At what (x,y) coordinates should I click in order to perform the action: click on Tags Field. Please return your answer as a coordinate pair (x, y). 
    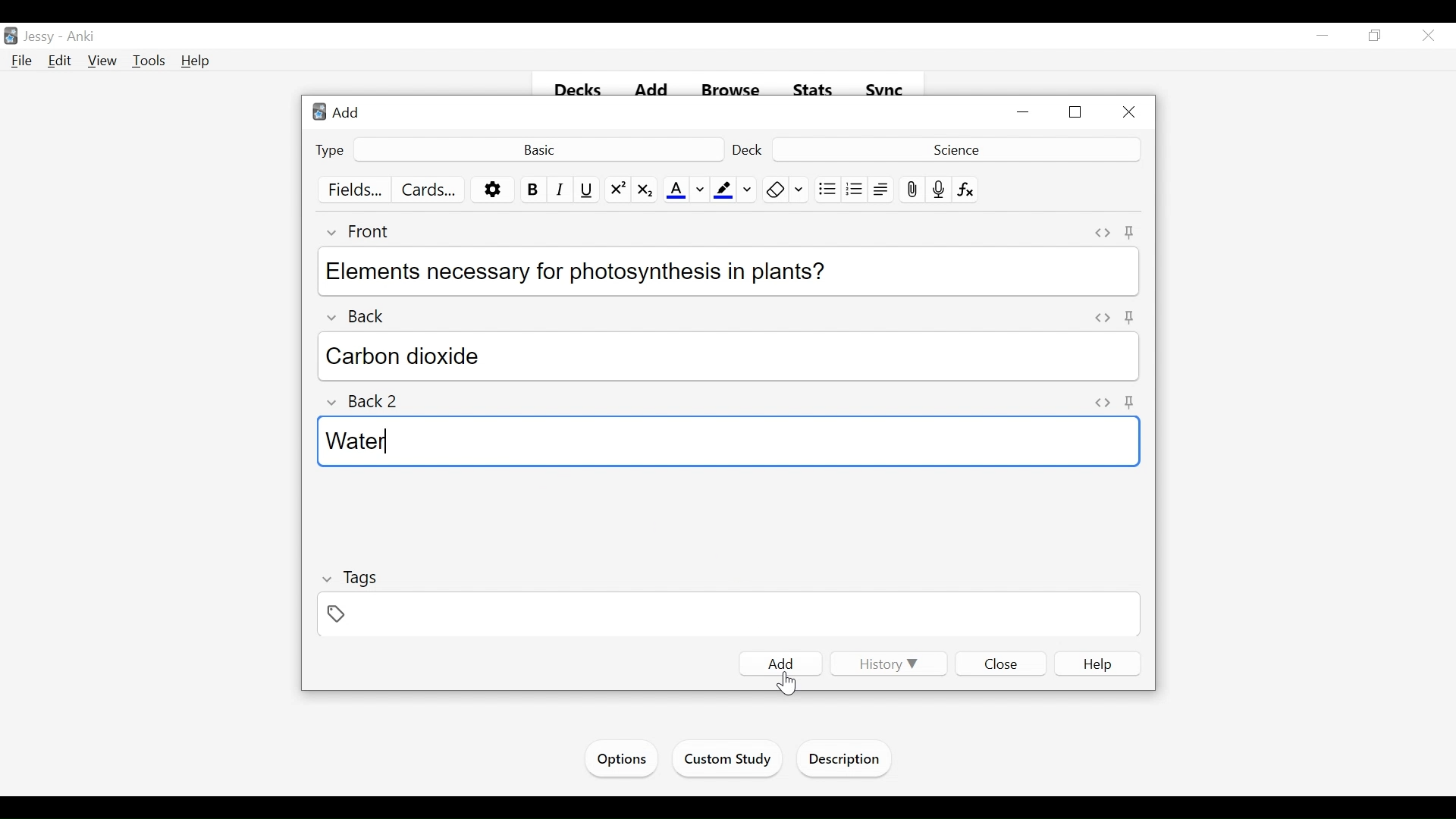
    Looking at the image, I should click on (730, 616).